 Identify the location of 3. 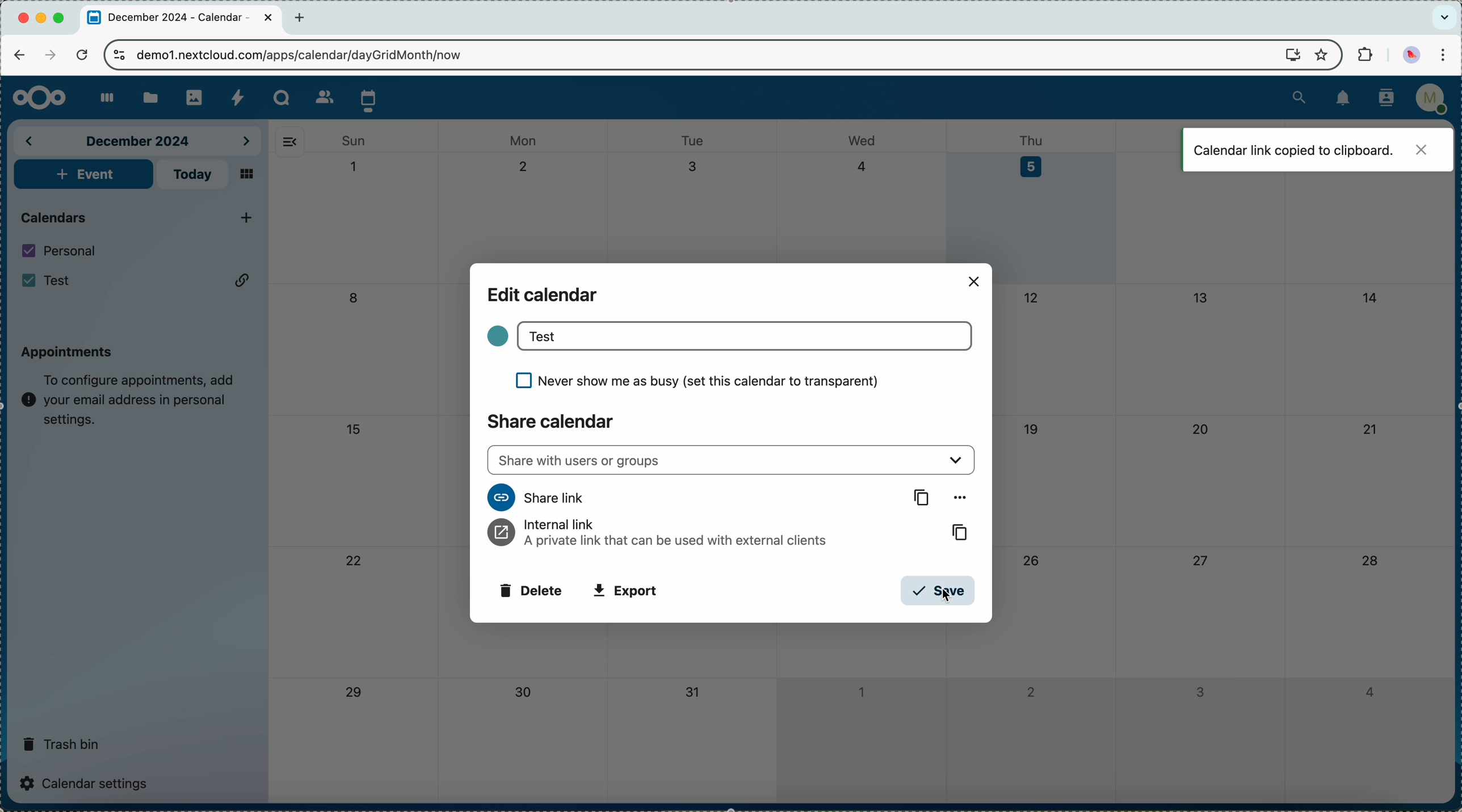
(694, 166).